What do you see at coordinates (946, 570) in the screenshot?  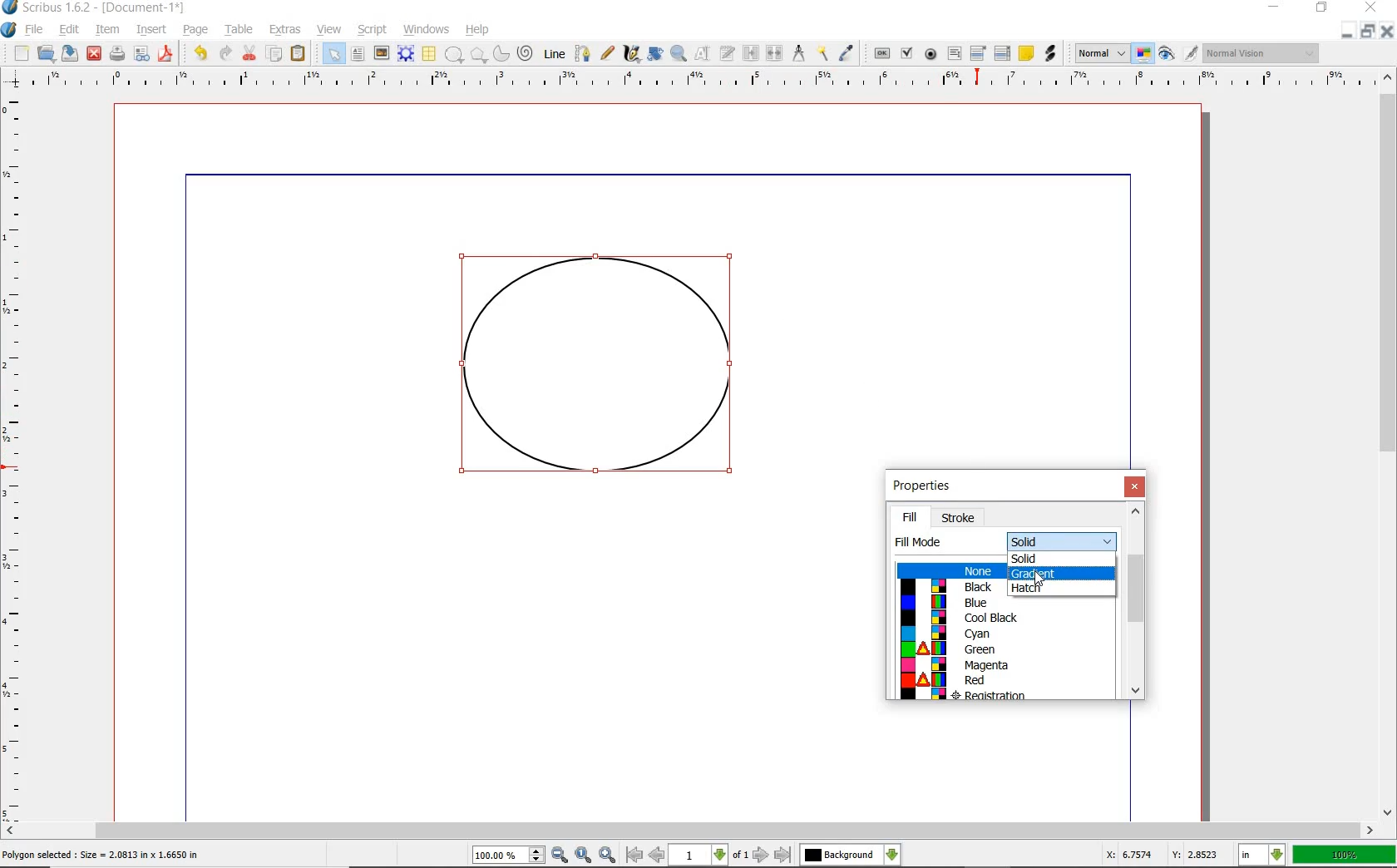 I see `none` at bounding box center [946, 570].